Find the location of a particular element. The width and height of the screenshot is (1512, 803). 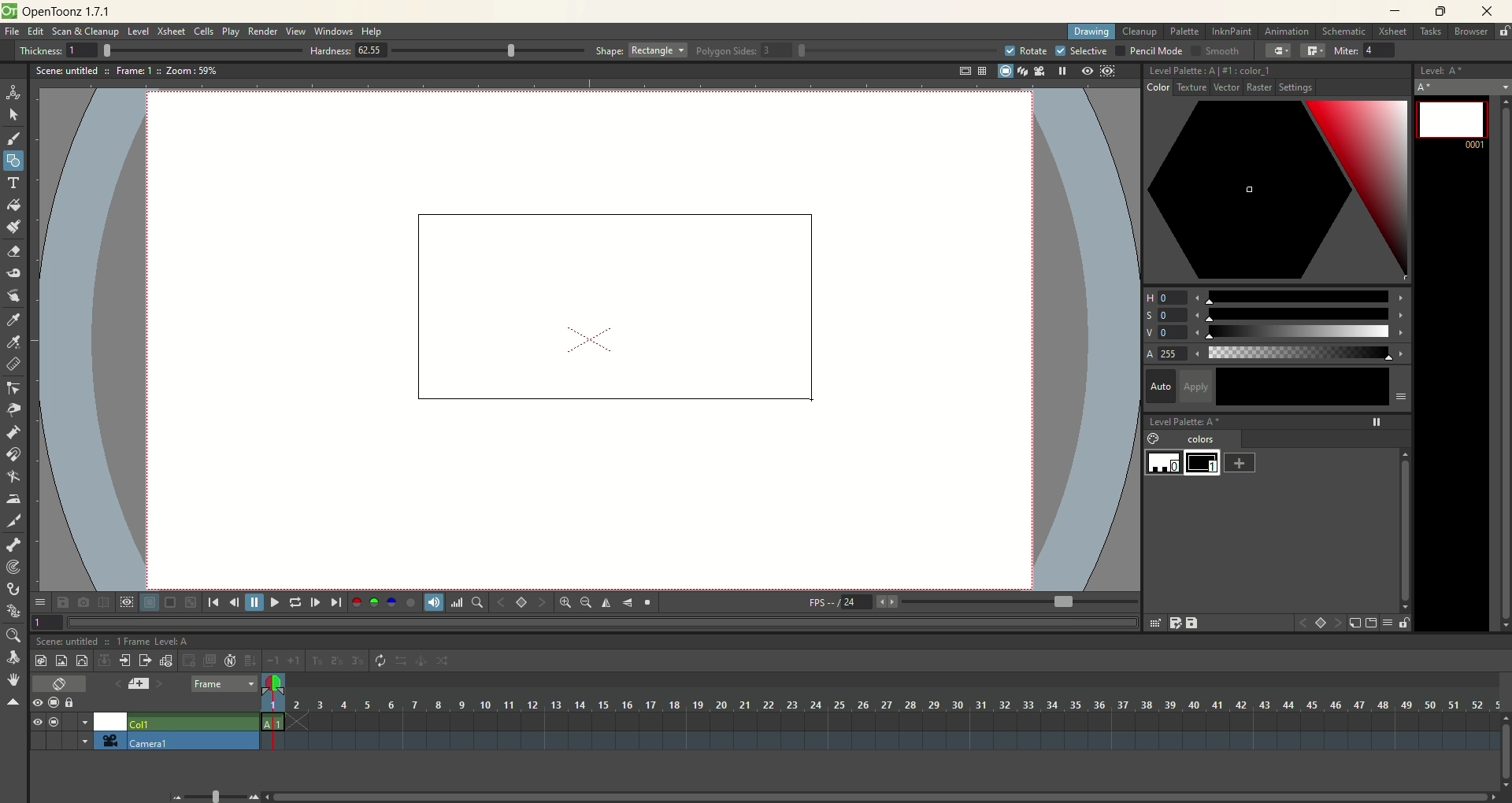

file is located at coordinates (15, 32).